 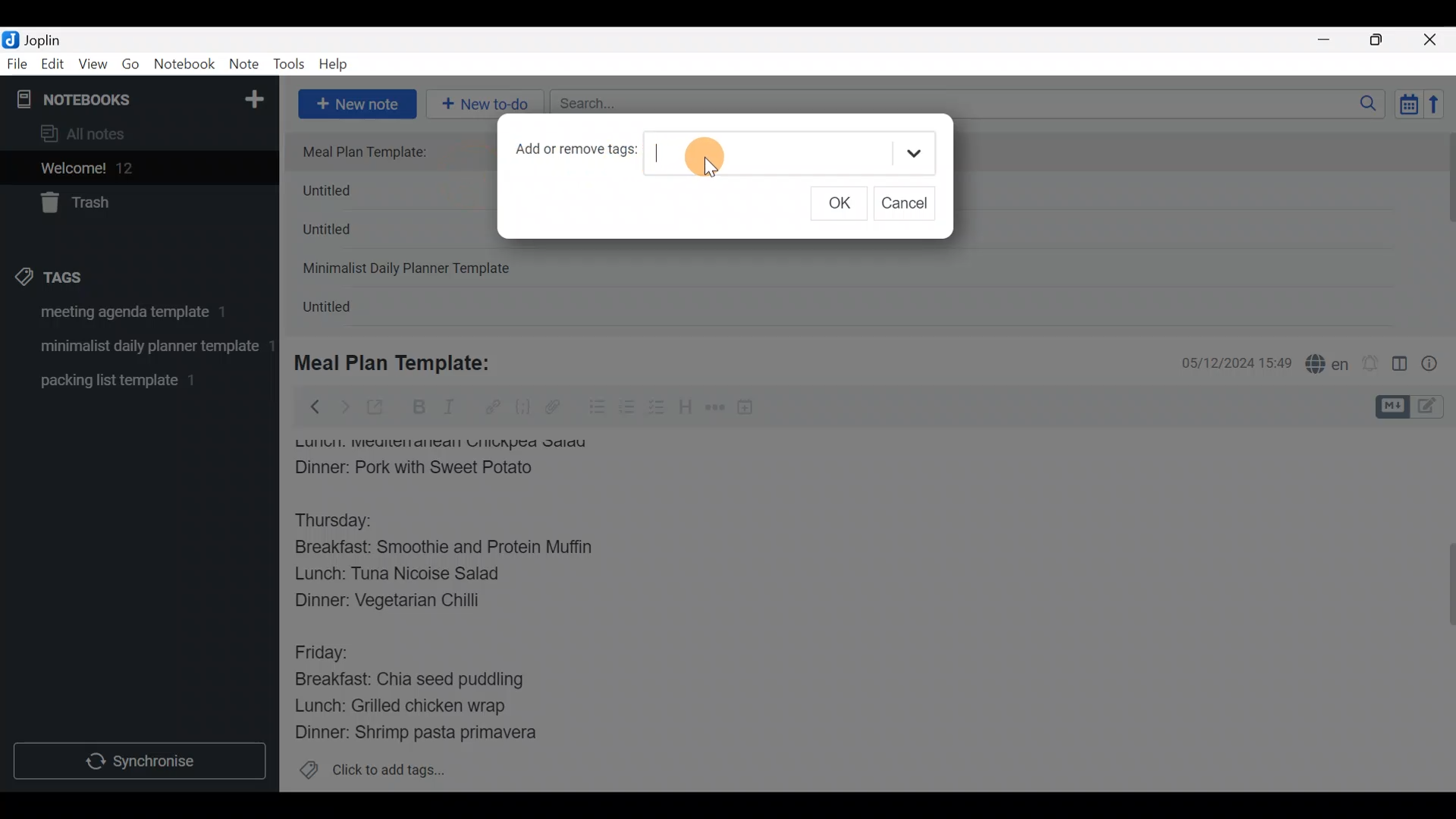 I want to click on Notebook, so click(x=185, y=64).